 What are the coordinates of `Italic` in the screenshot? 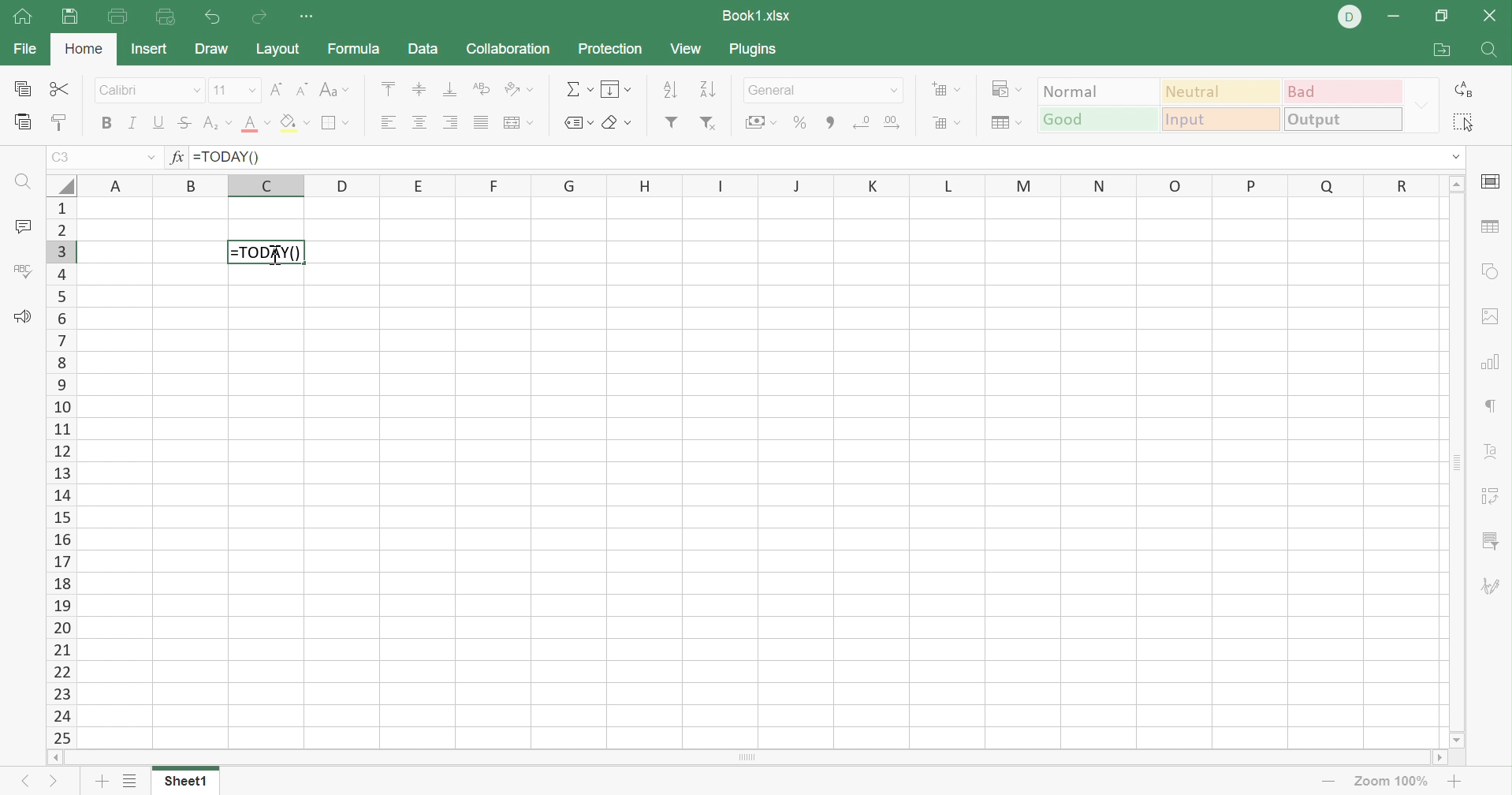 It's located at (132, 121).